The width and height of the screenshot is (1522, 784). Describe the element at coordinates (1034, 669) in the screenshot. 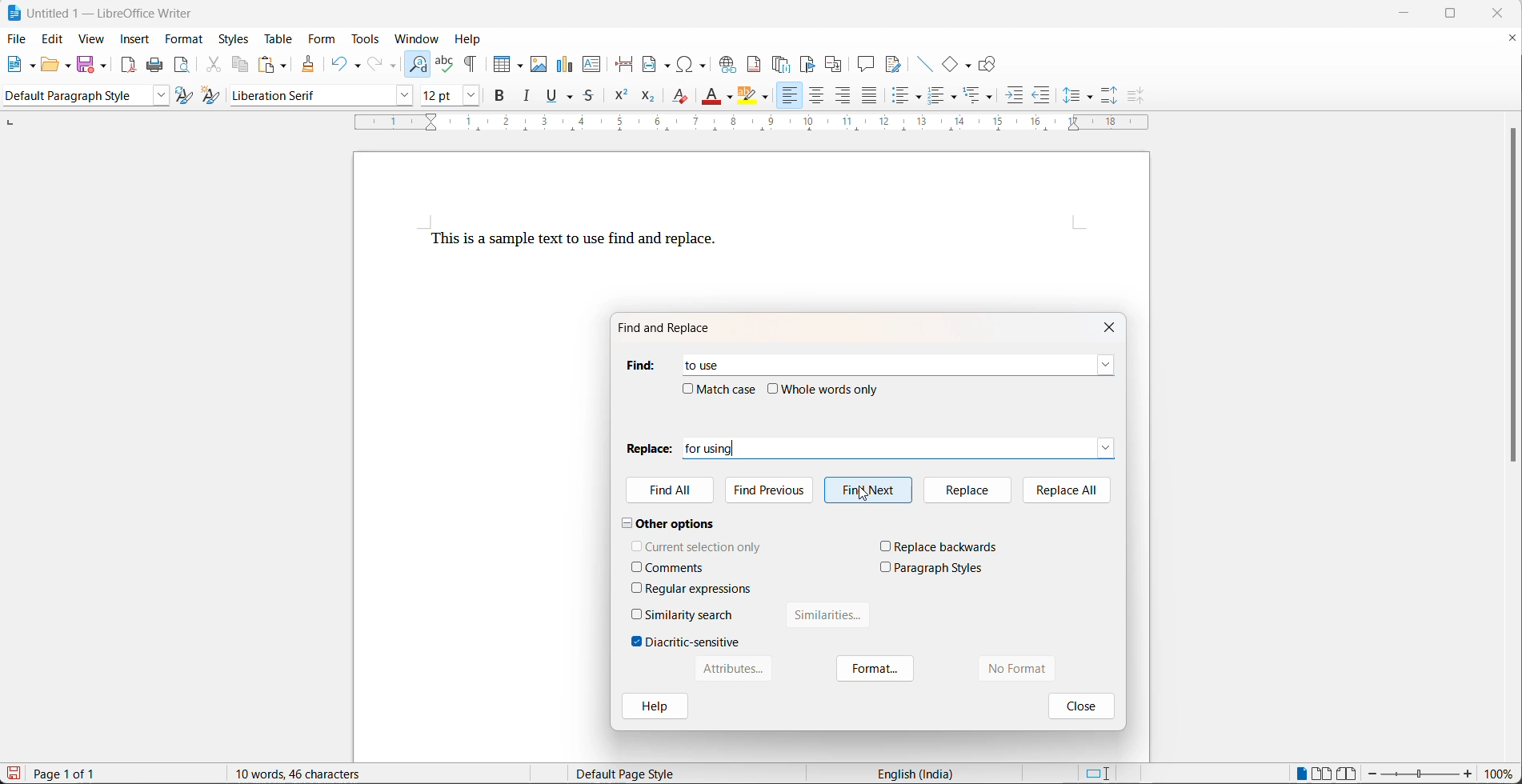

I see `no format` at that location.